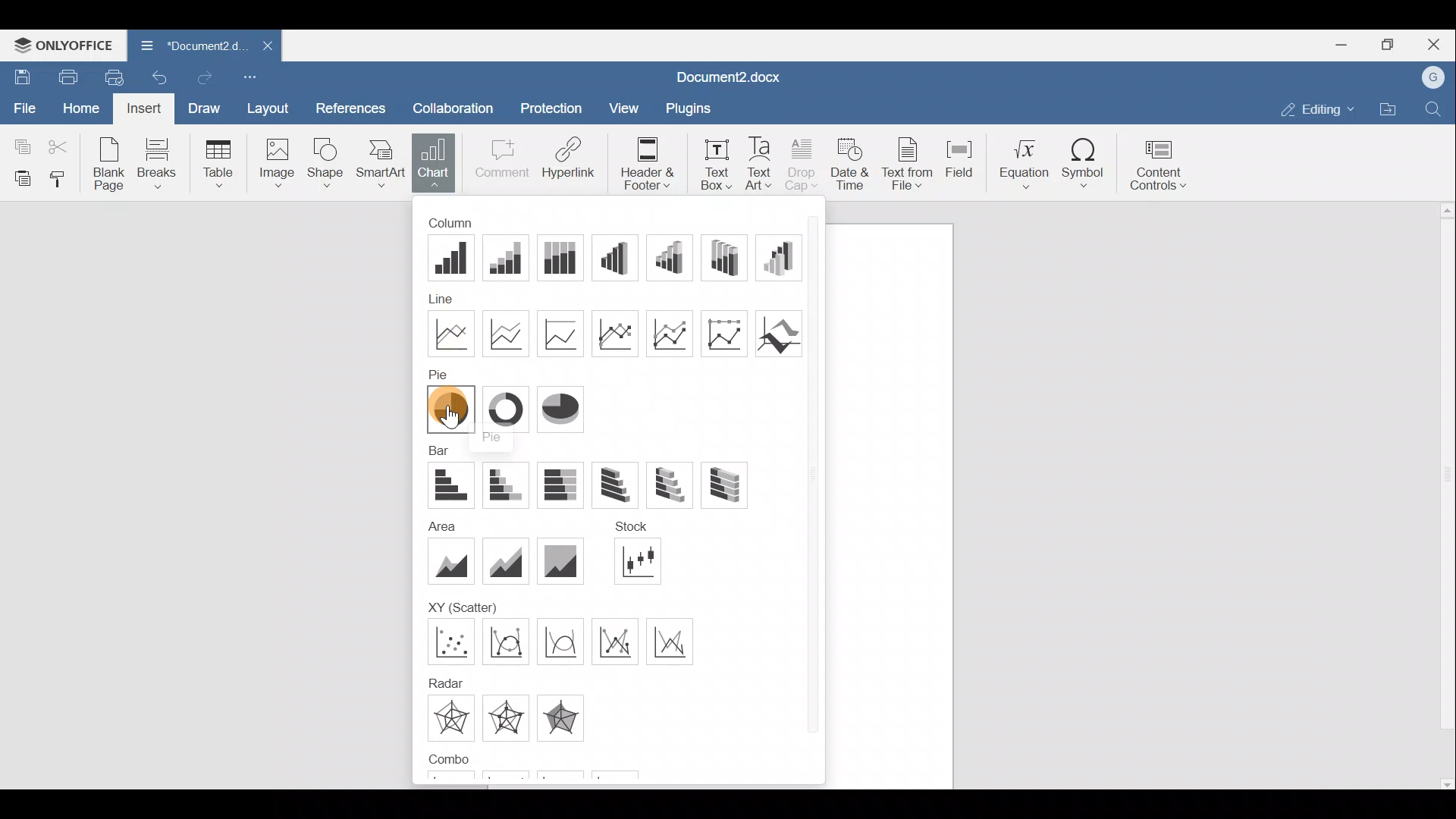 The height and width of the screenshot is (819, 1456). Describe the element at coordinates (618, 640) in the screenshot. I see `Scatter with straight lines` at that location.